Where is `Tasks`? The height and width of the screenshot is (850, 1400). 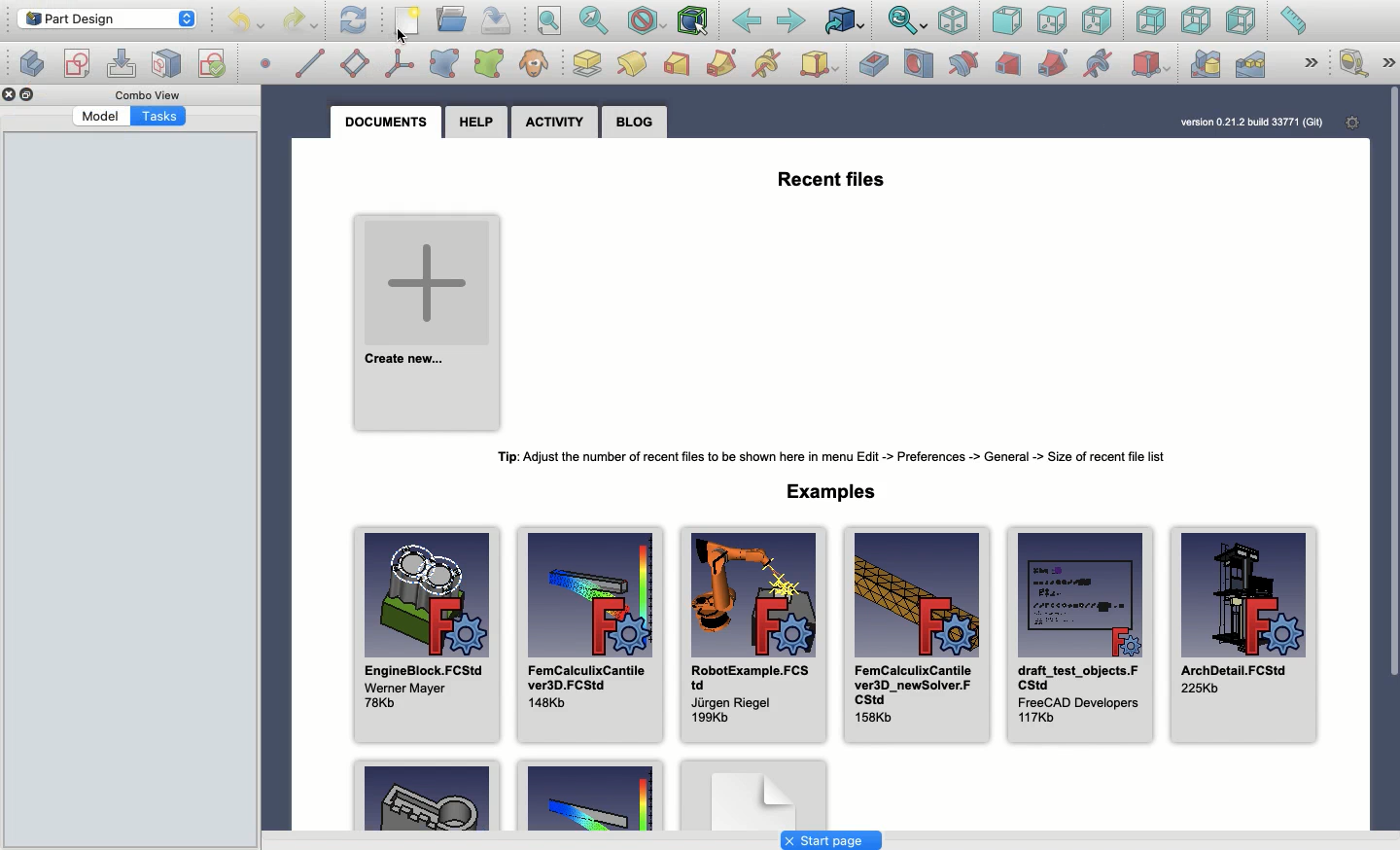
Tasks is located at coordinates (160, 116).